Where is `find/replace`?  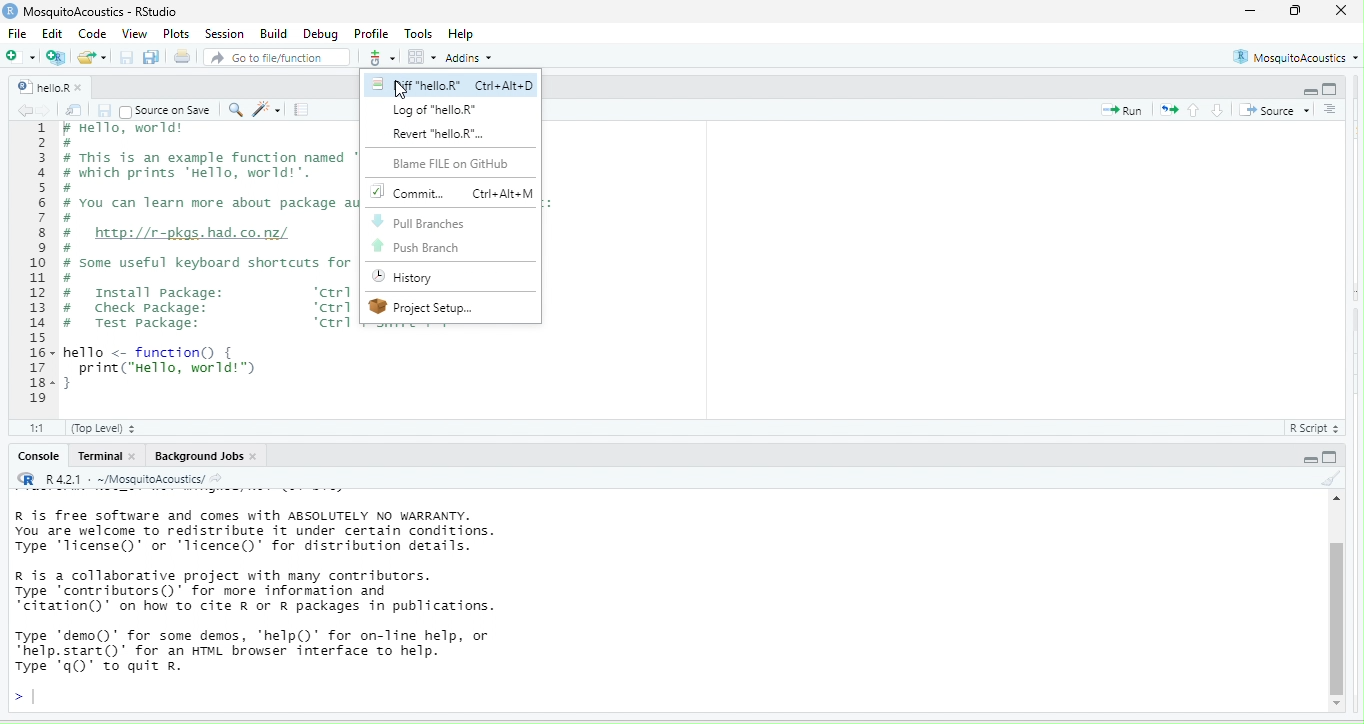 find/replace is located at coordinates (237, 110).